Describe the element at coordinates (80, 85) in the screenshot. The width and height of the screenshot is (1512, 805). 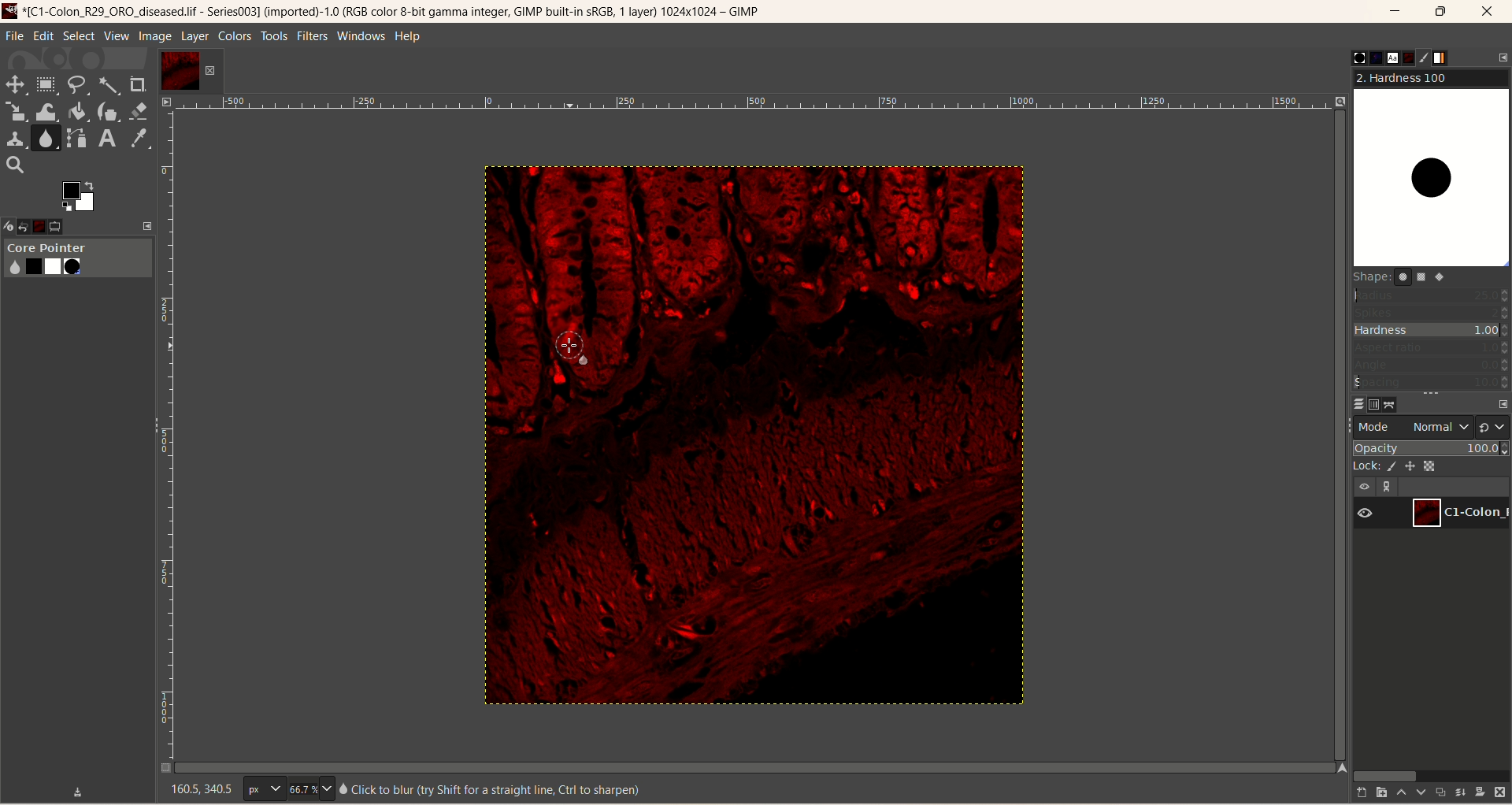
I see `free select tool` at that location.